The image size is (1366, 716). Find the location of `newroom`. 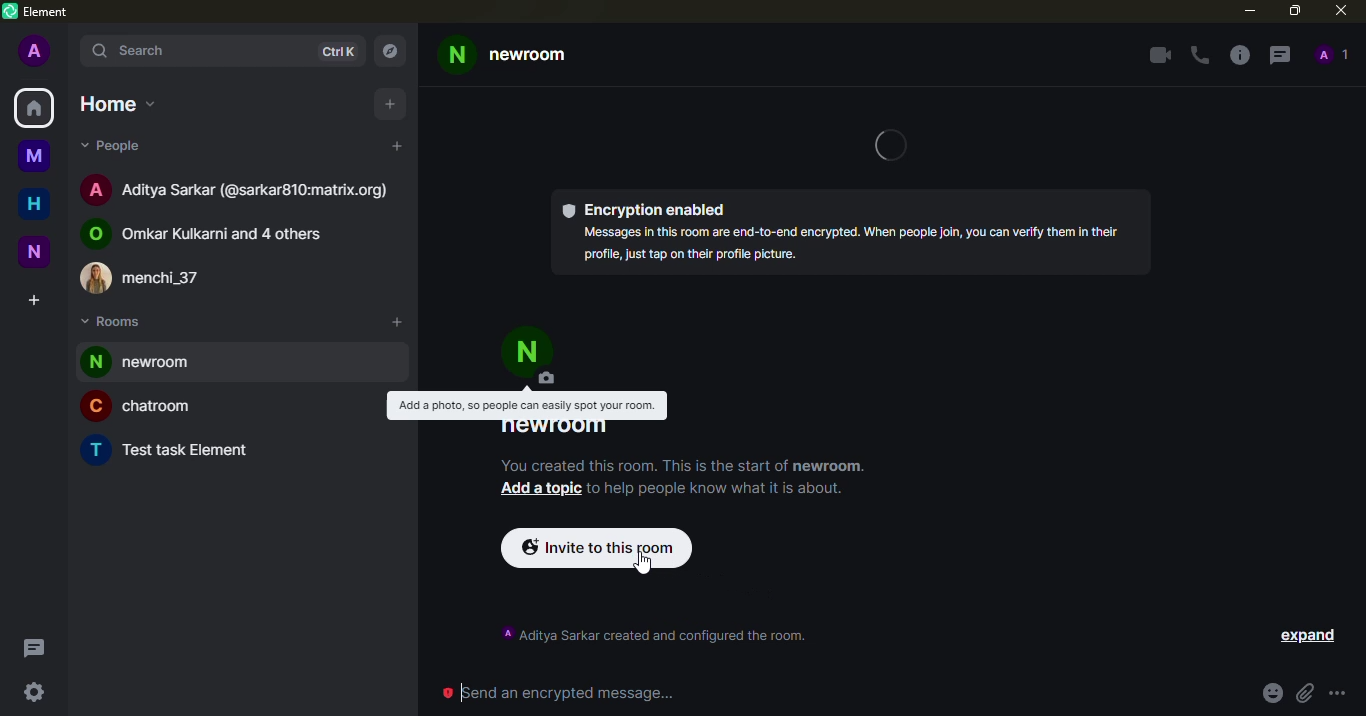

newroom is located at coordinates (558, 429).